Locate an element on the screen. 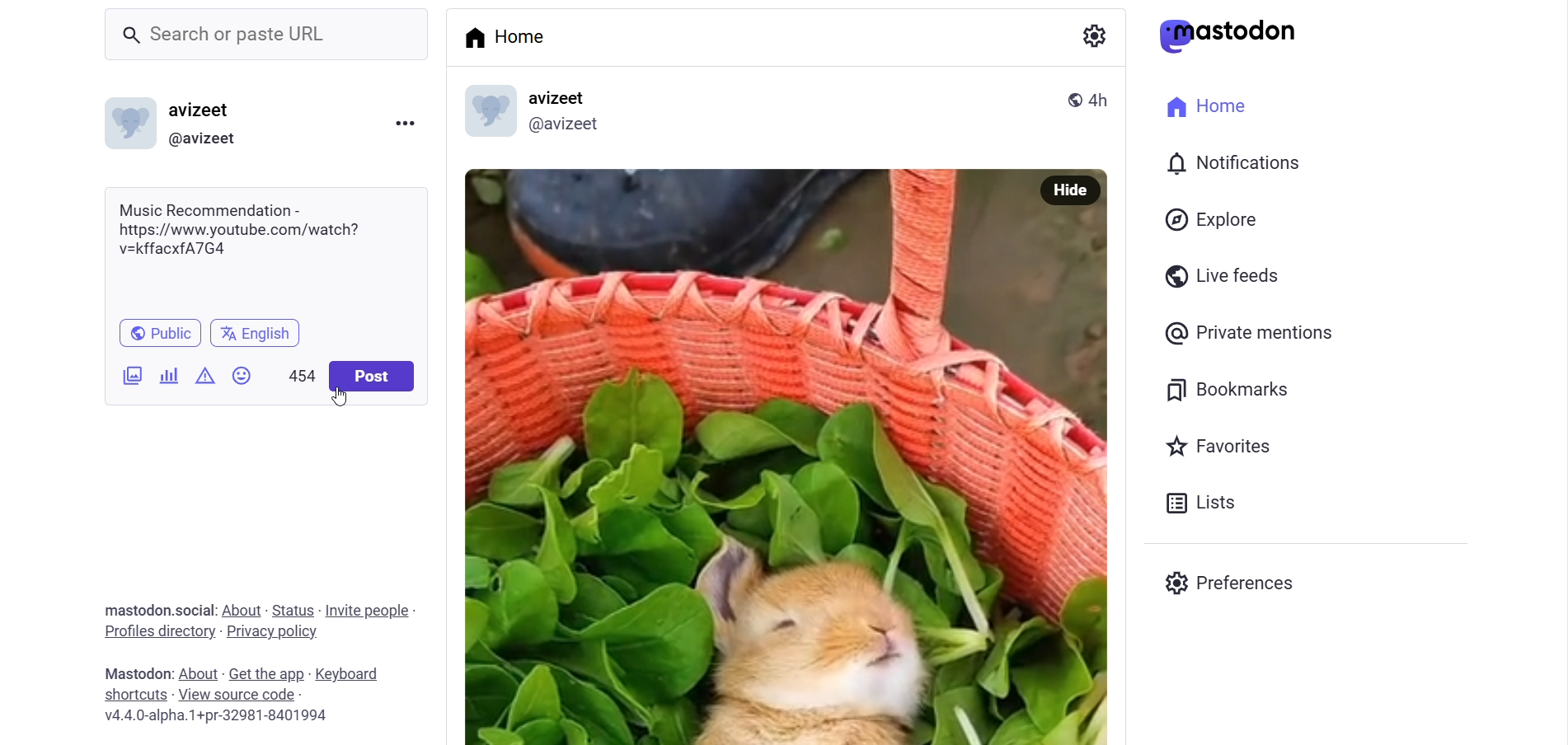  about is located at coordinates (241, 610).